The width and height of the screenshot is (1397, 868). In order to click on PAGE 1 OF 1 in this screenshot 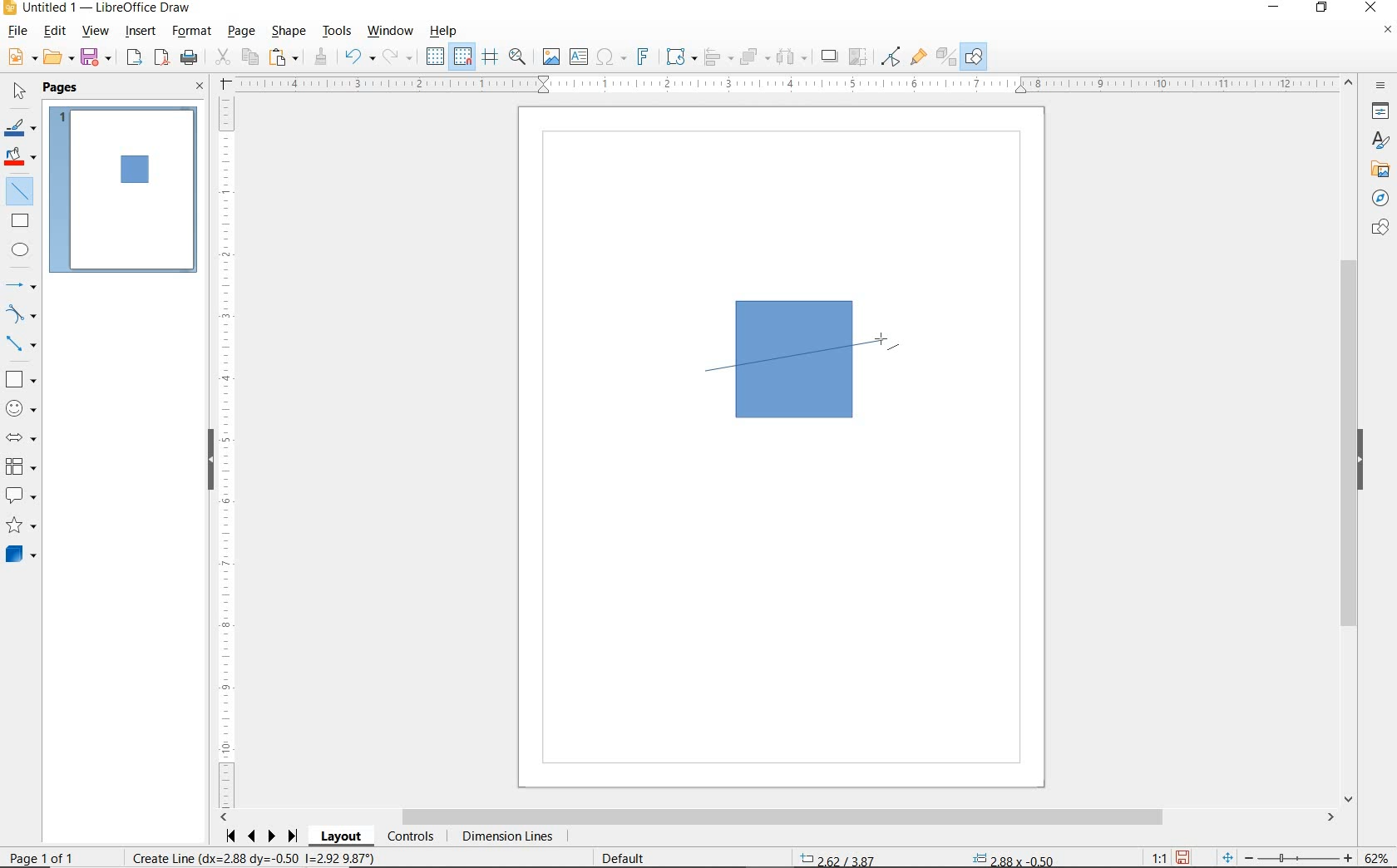, I will do `click(60, 860)`.